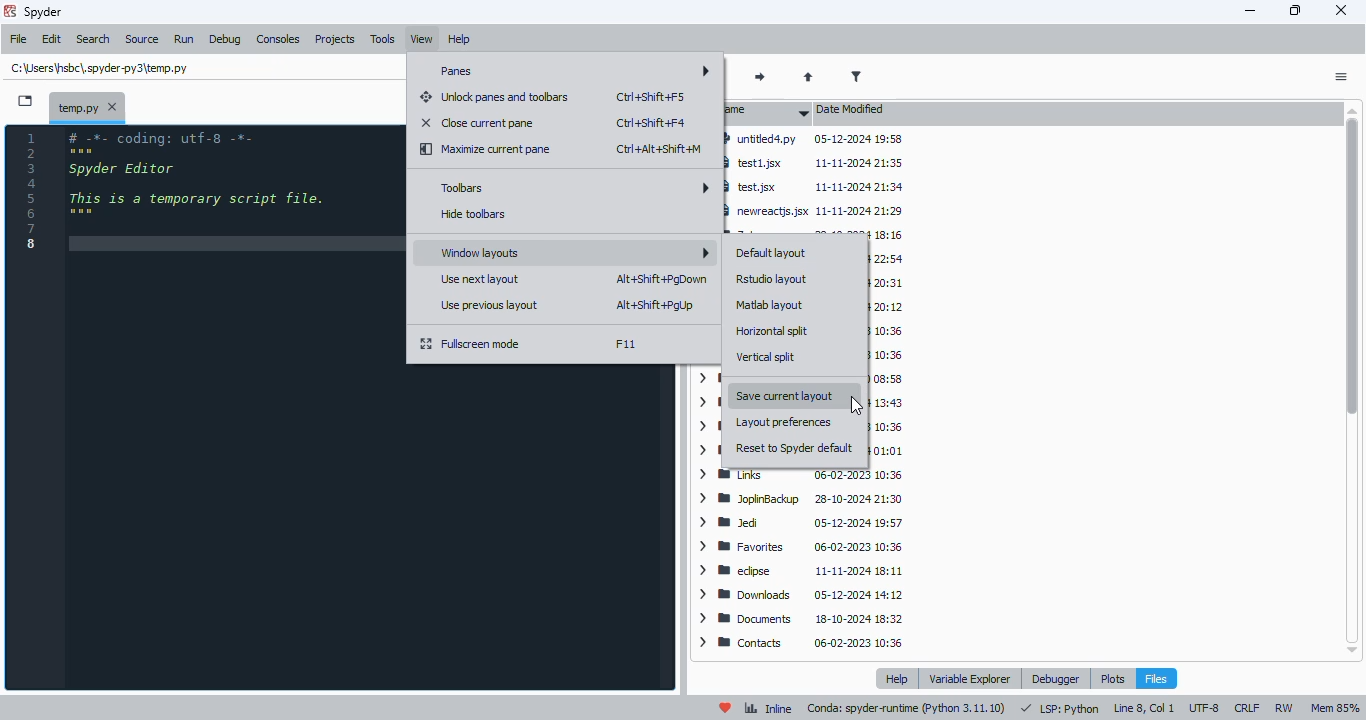 This screenshot has width=1366, height=720. I want to click on newreactjs.jsx, so click(820, 209).